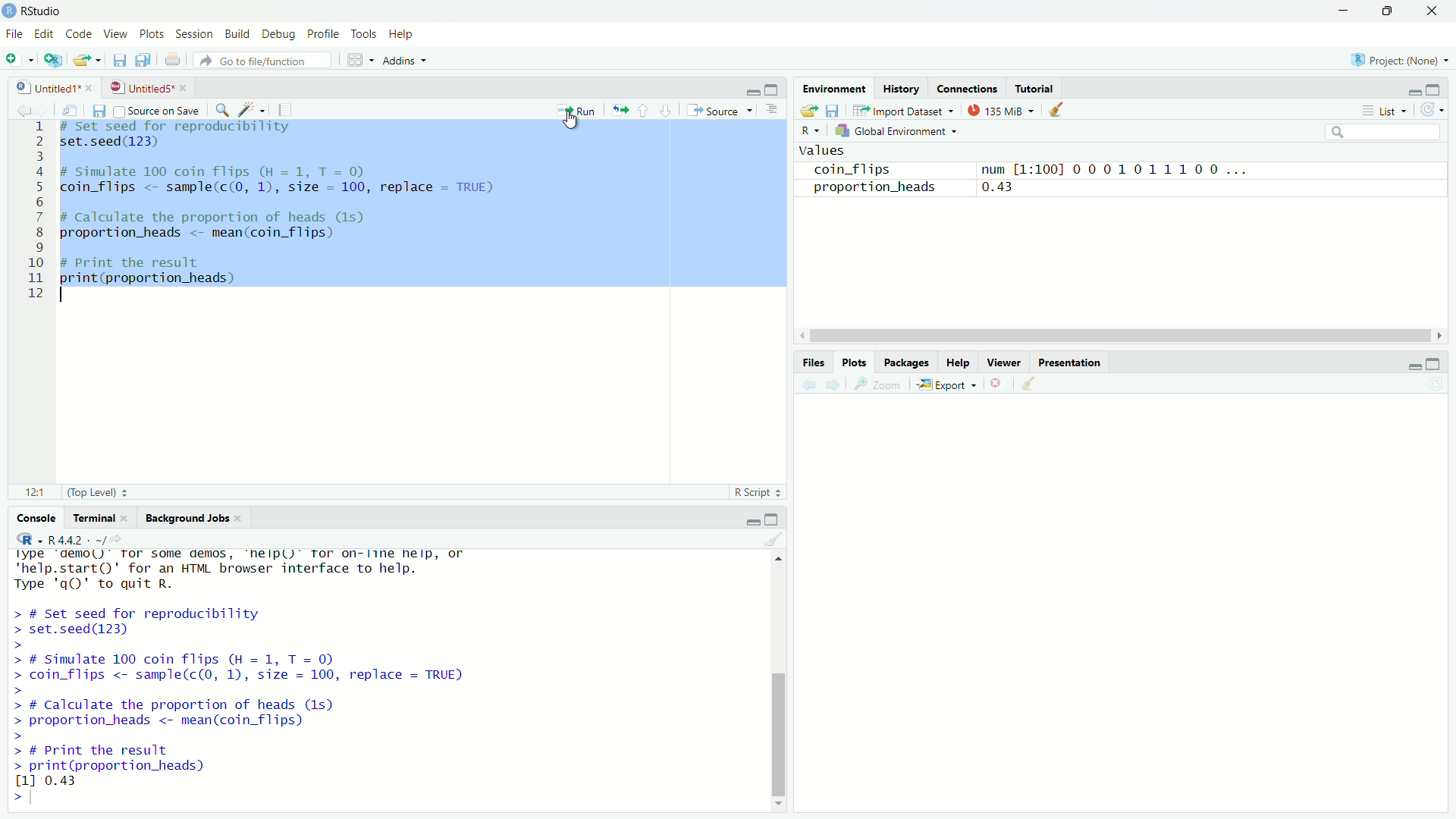 The width and height of the screenshot is (1456, 819). I want to click on refresh, so click(1439, 110).